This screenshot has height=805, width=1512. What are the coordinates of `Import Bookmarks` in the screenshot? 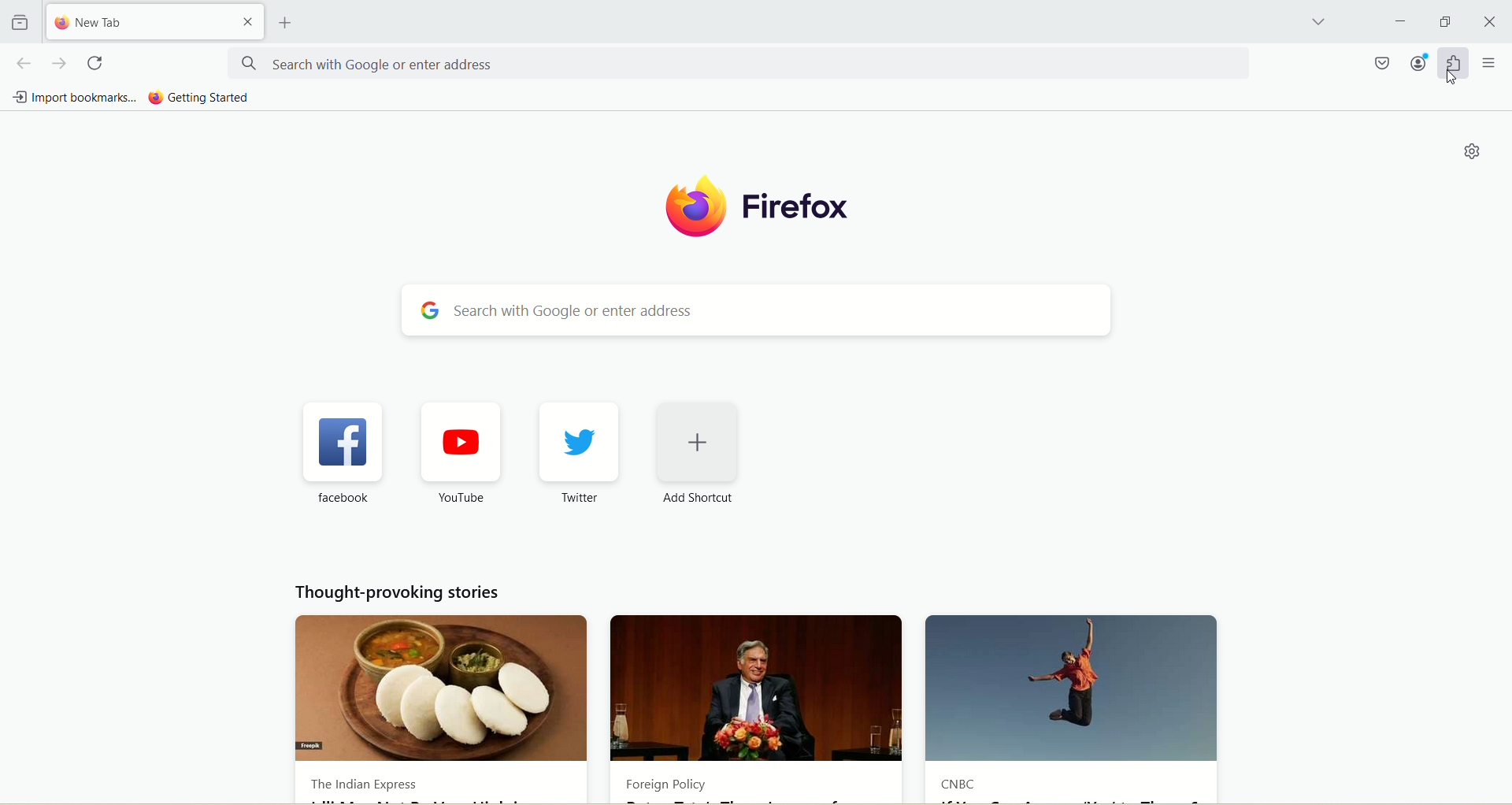 It's located at (71, 95).